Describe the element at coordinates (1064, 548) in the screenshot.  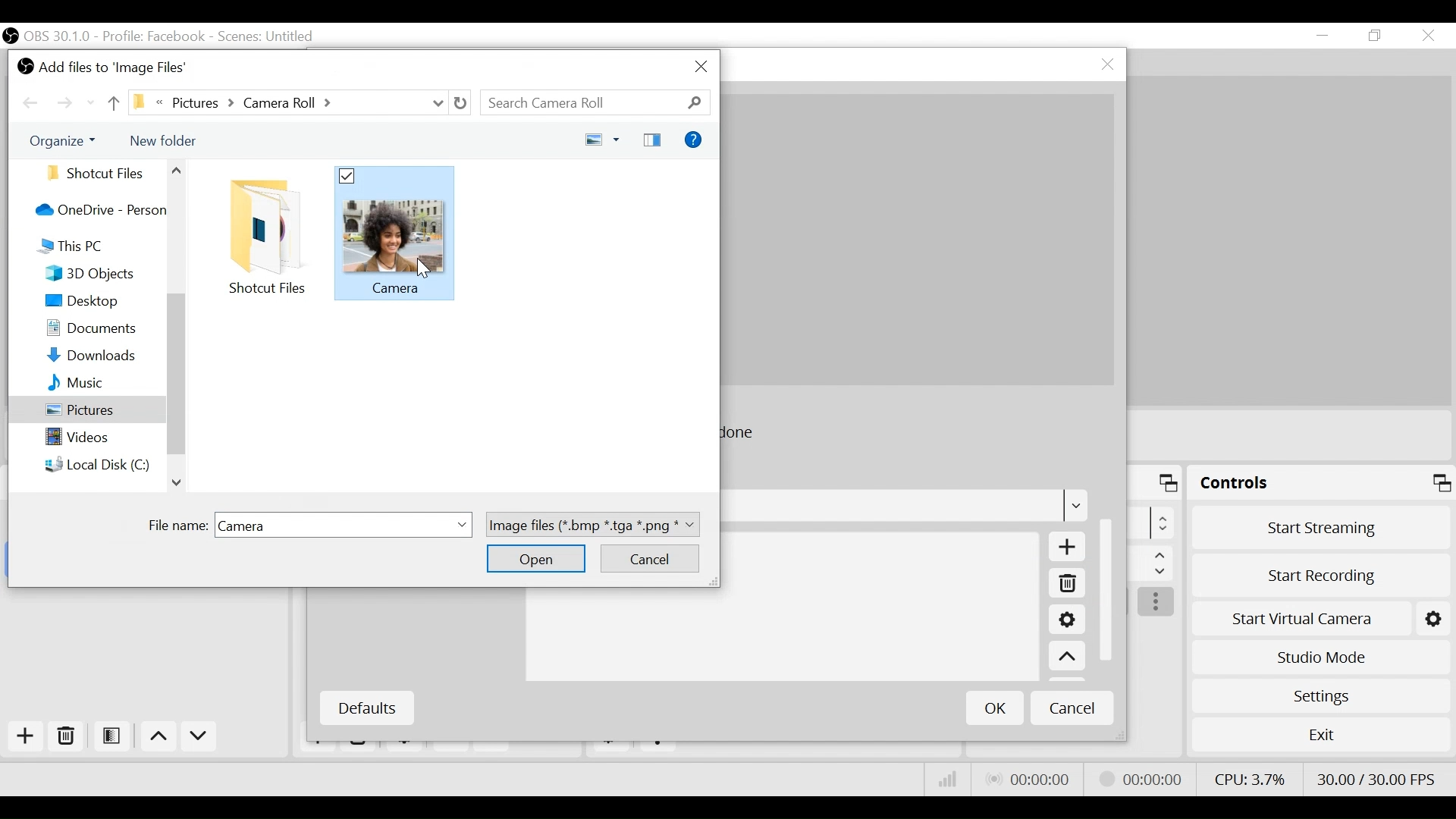
I see `Add` at that location.